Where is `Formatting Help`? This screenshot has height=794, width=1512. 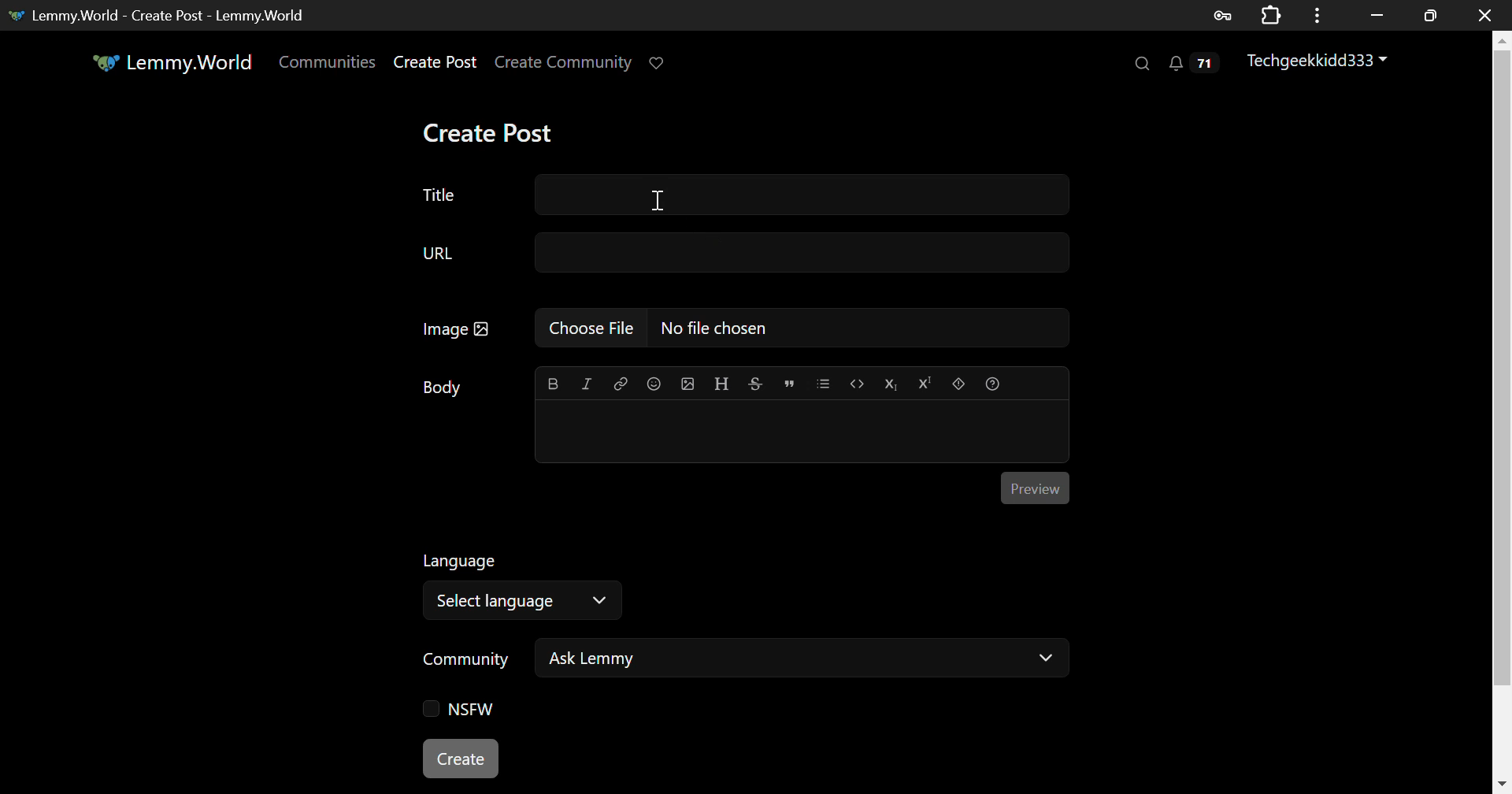
Formatting Help is located at coordinates (991, 384).